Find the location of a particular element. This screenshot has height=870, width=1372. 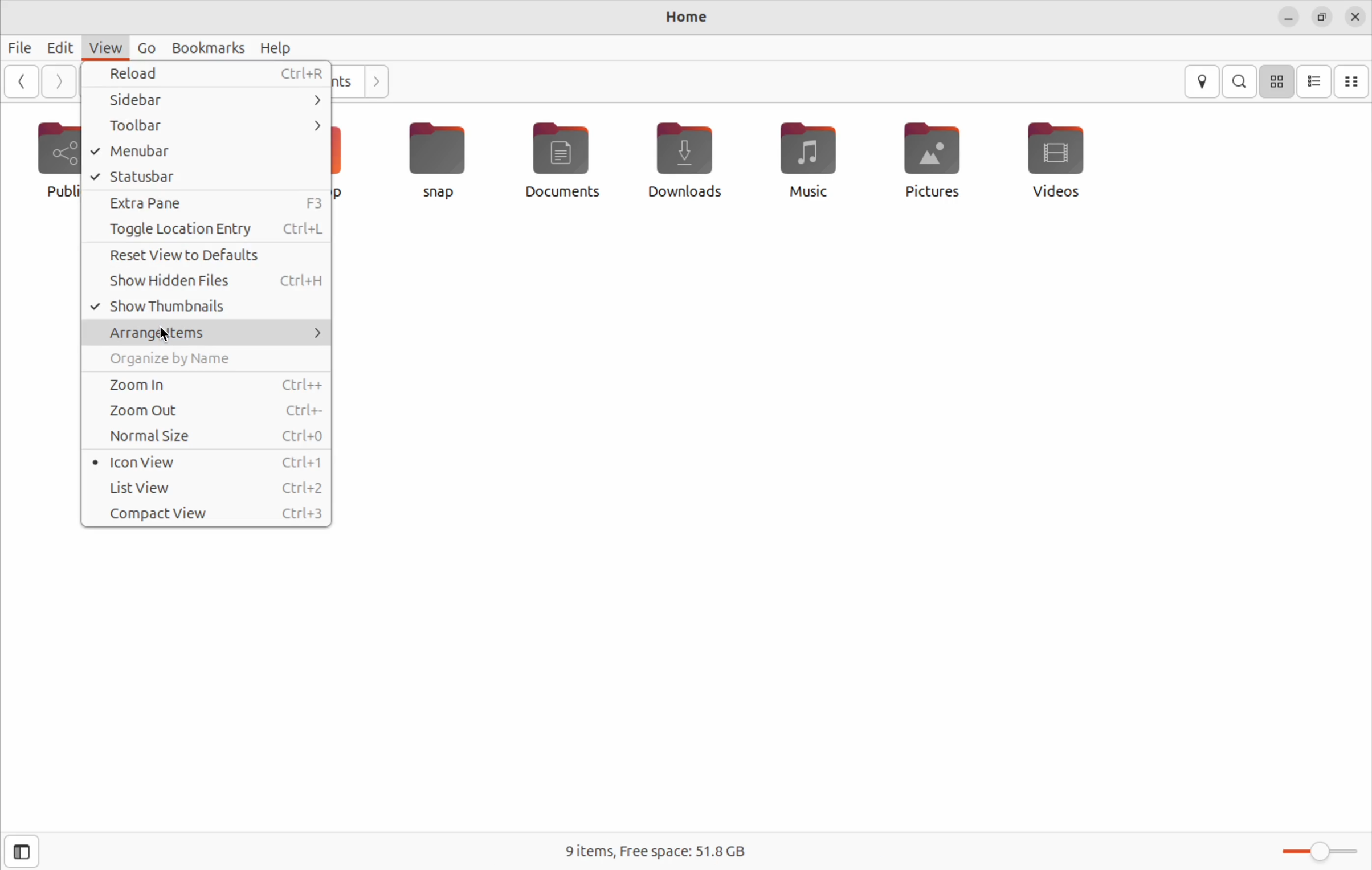

close is located at coordinates (1357, 15).